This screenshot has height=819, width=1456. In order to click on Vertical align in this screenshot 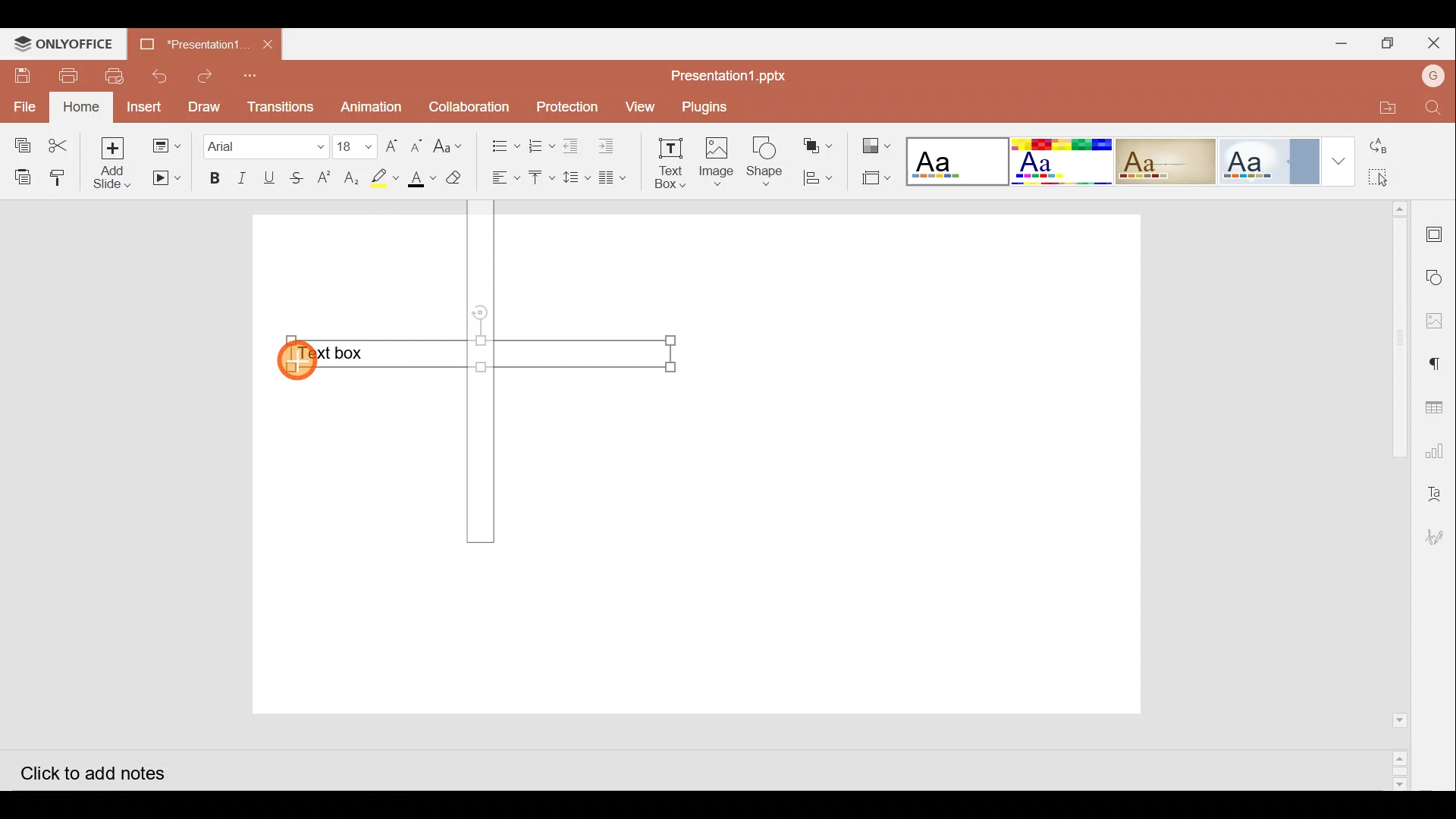, I will do `click(541, 180)`.